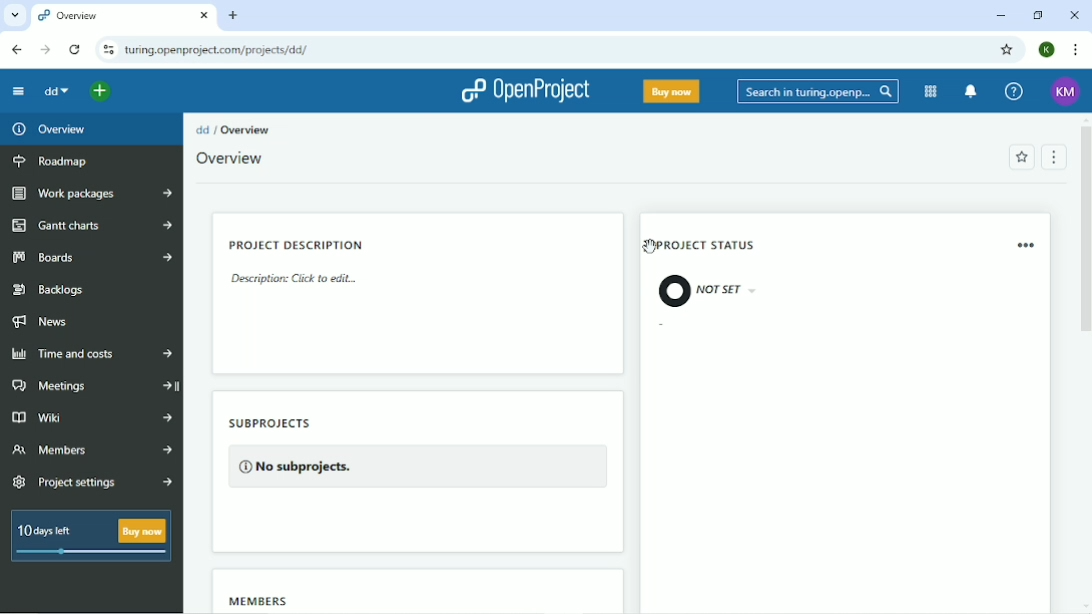 Image resolution: width=1092 pixels, height=614 pixels. Describe the element at coordinates (1075, 16) in the screenshot. I see `Close` at that location.